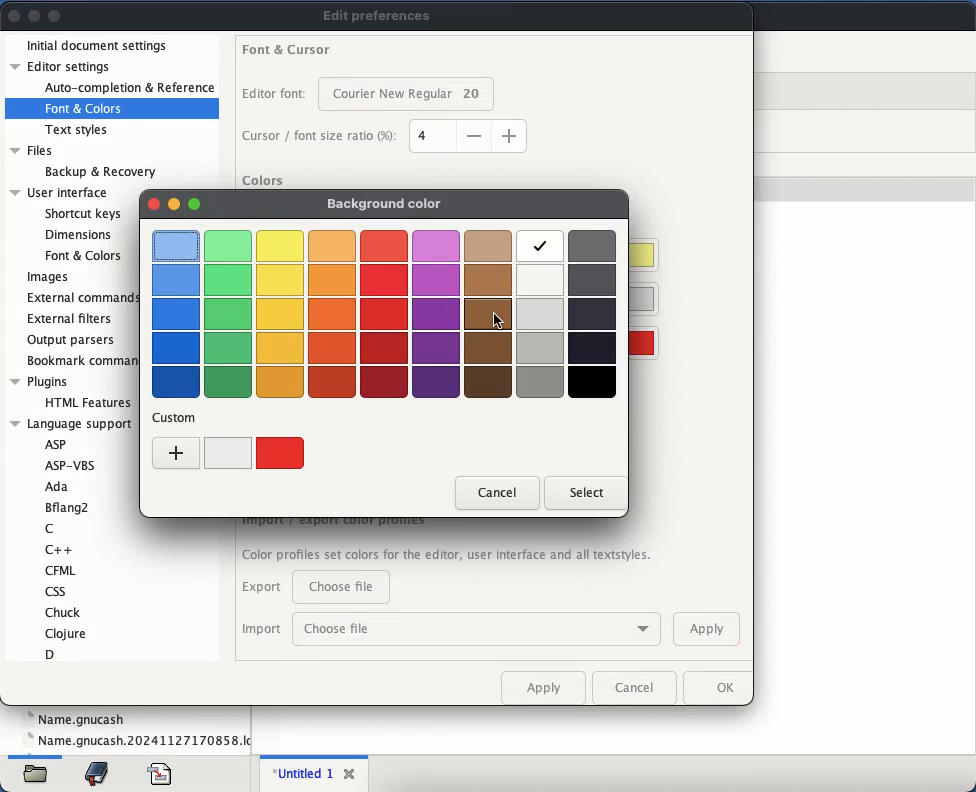 Image resolution: width=976 pixels, height=792 pixels. Describe the element at coordinates (177, 417) in the screenshot. I see `custom` at that location.